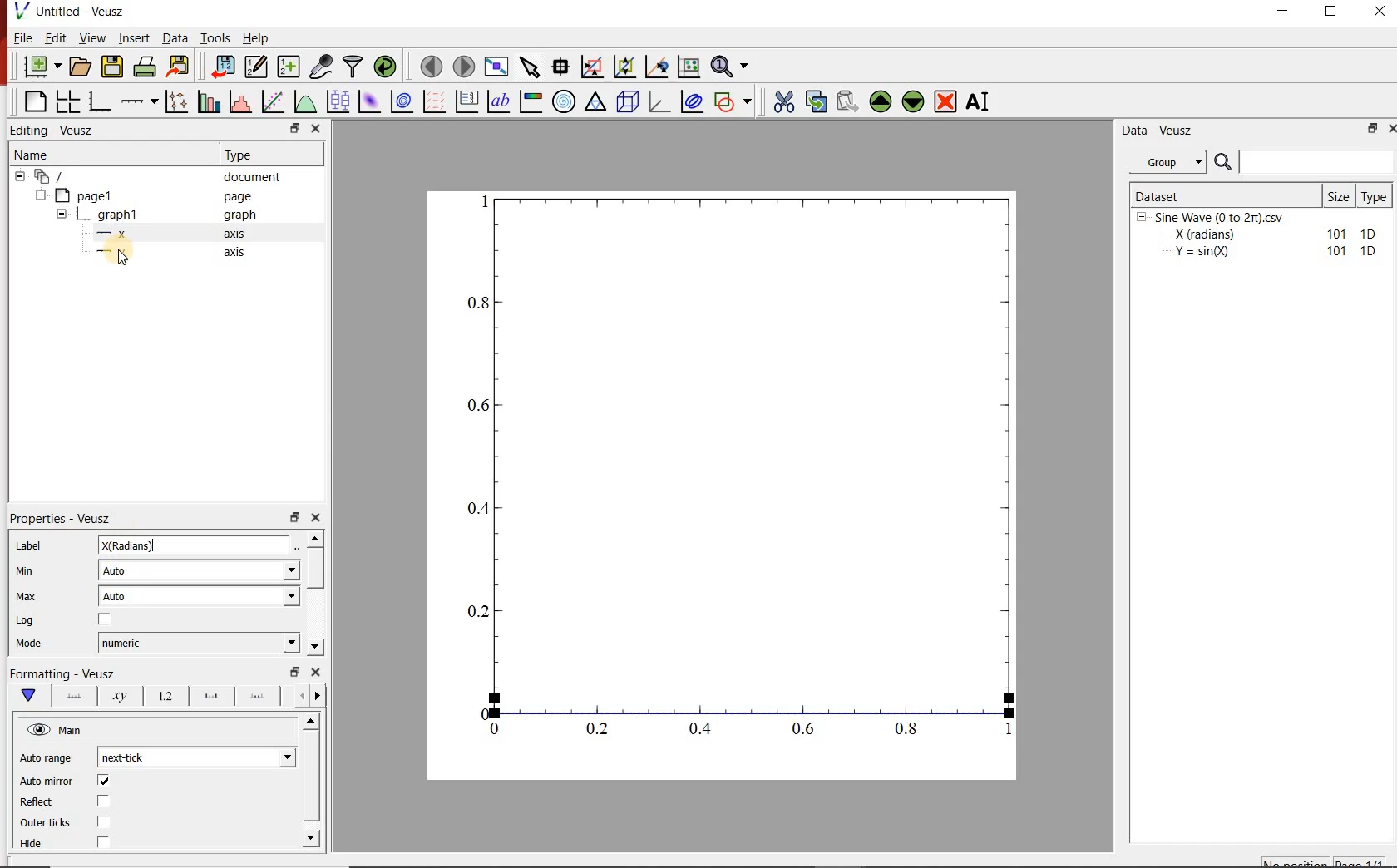  Describe the element at coordinates (295, 672) in the screenshot. I see `Min/Max` at that location.